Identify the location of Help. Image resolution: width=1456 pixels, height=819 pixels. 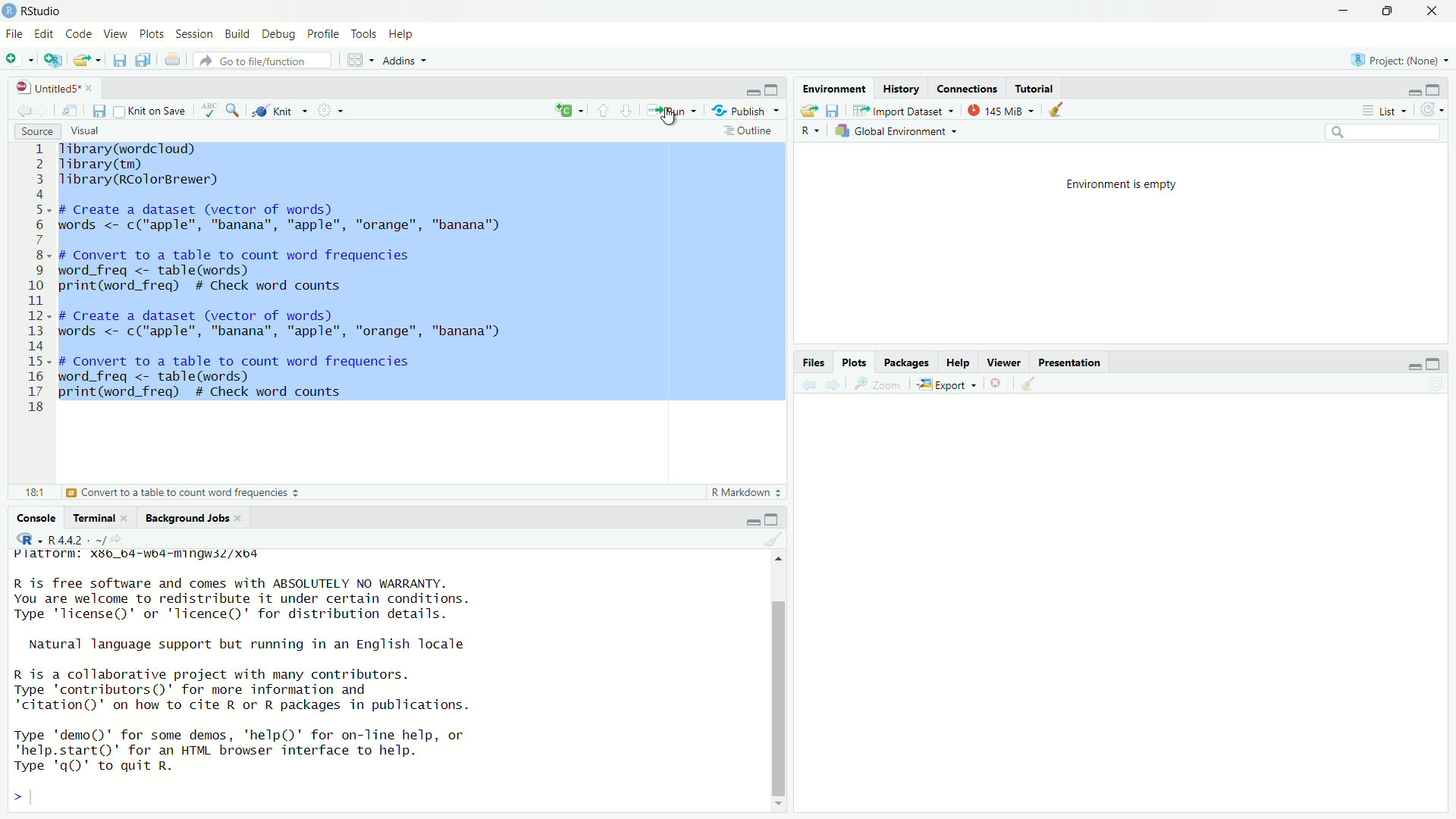
(404, 34).